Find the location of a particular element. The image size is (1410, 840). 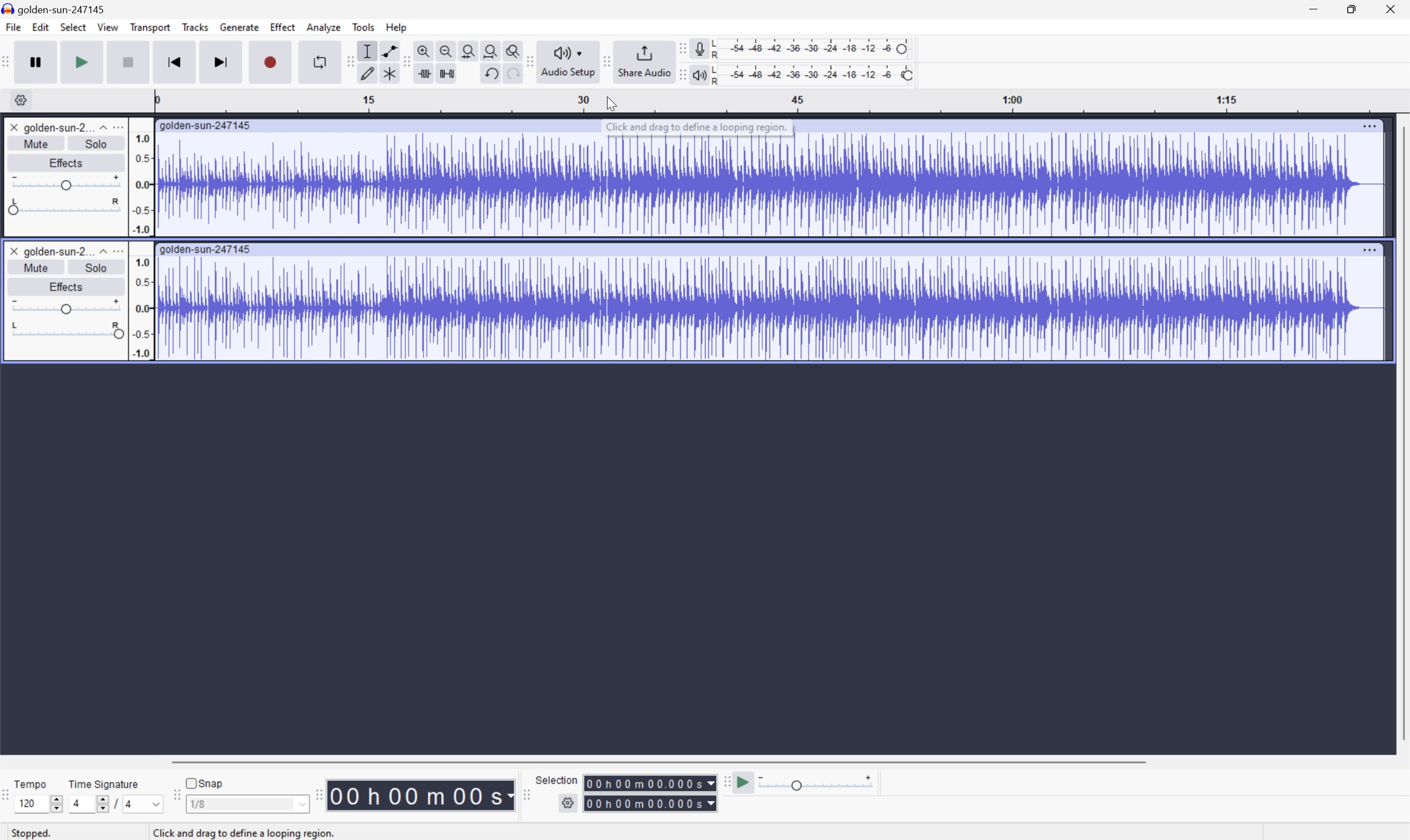

Stop is located at coordinates (128, 62).